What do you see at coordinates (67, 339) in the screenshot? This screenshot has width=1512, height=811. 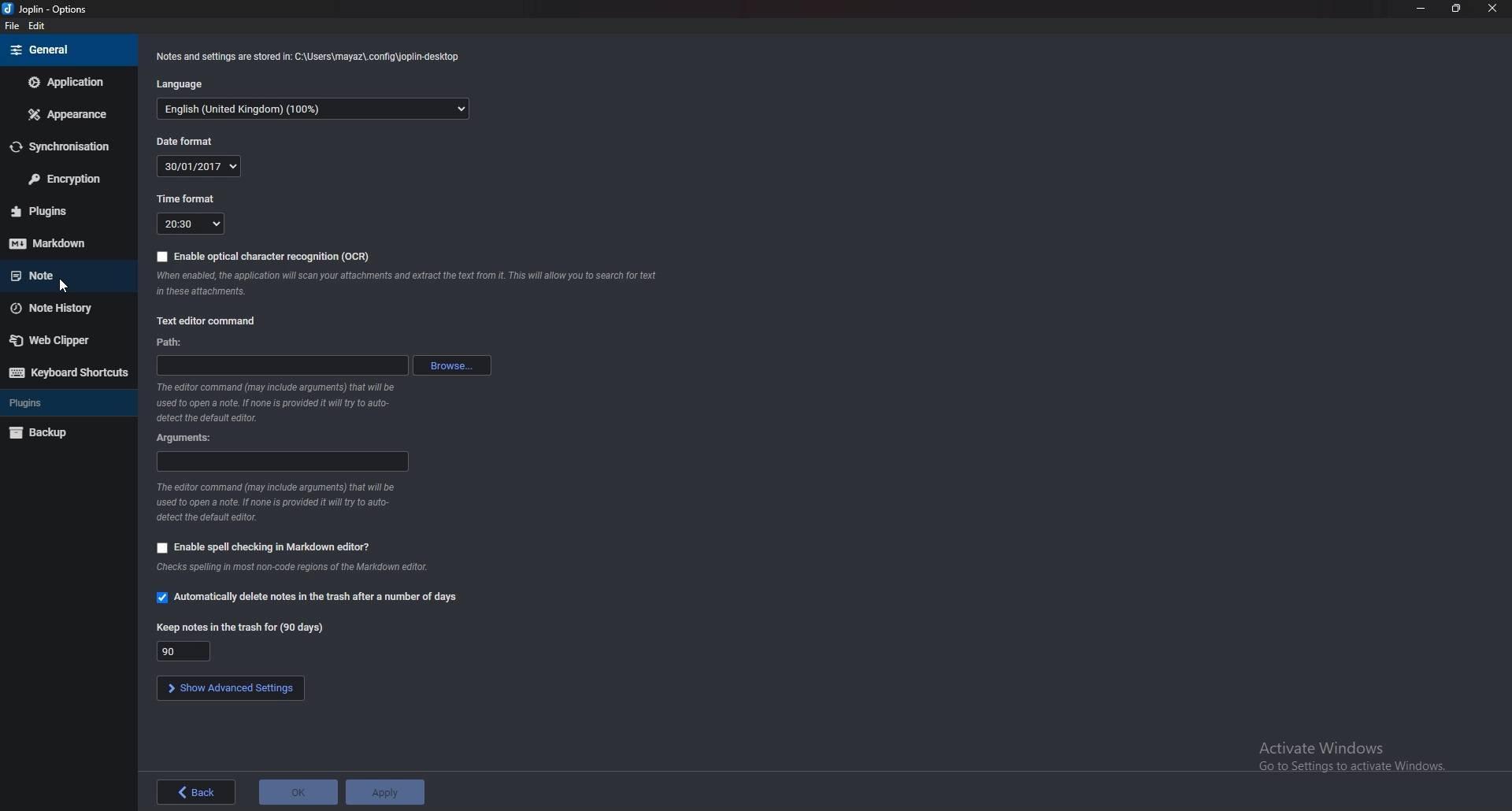 I see `Web Clipper` at bounding box center [67, 339].